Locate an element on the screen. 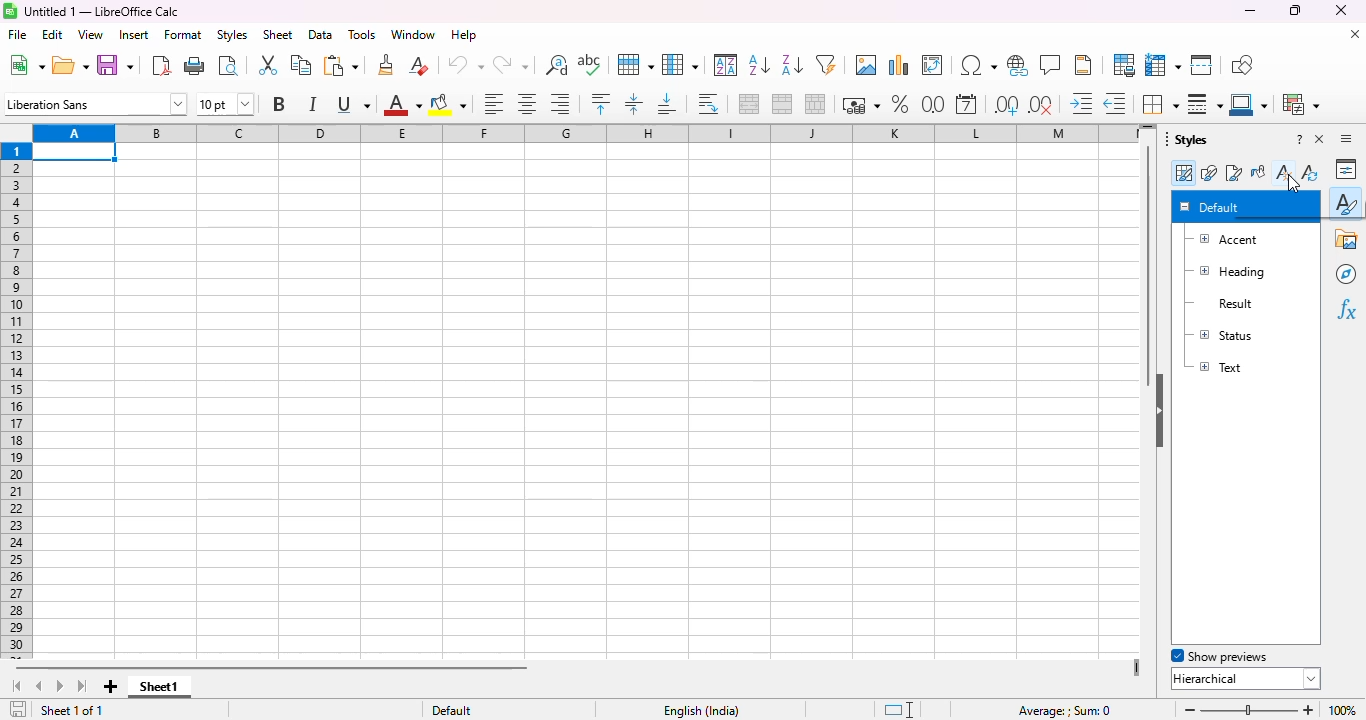 The height and width of the screenshot is (720, 1366). insert chart is located at coordinates (899, 65).